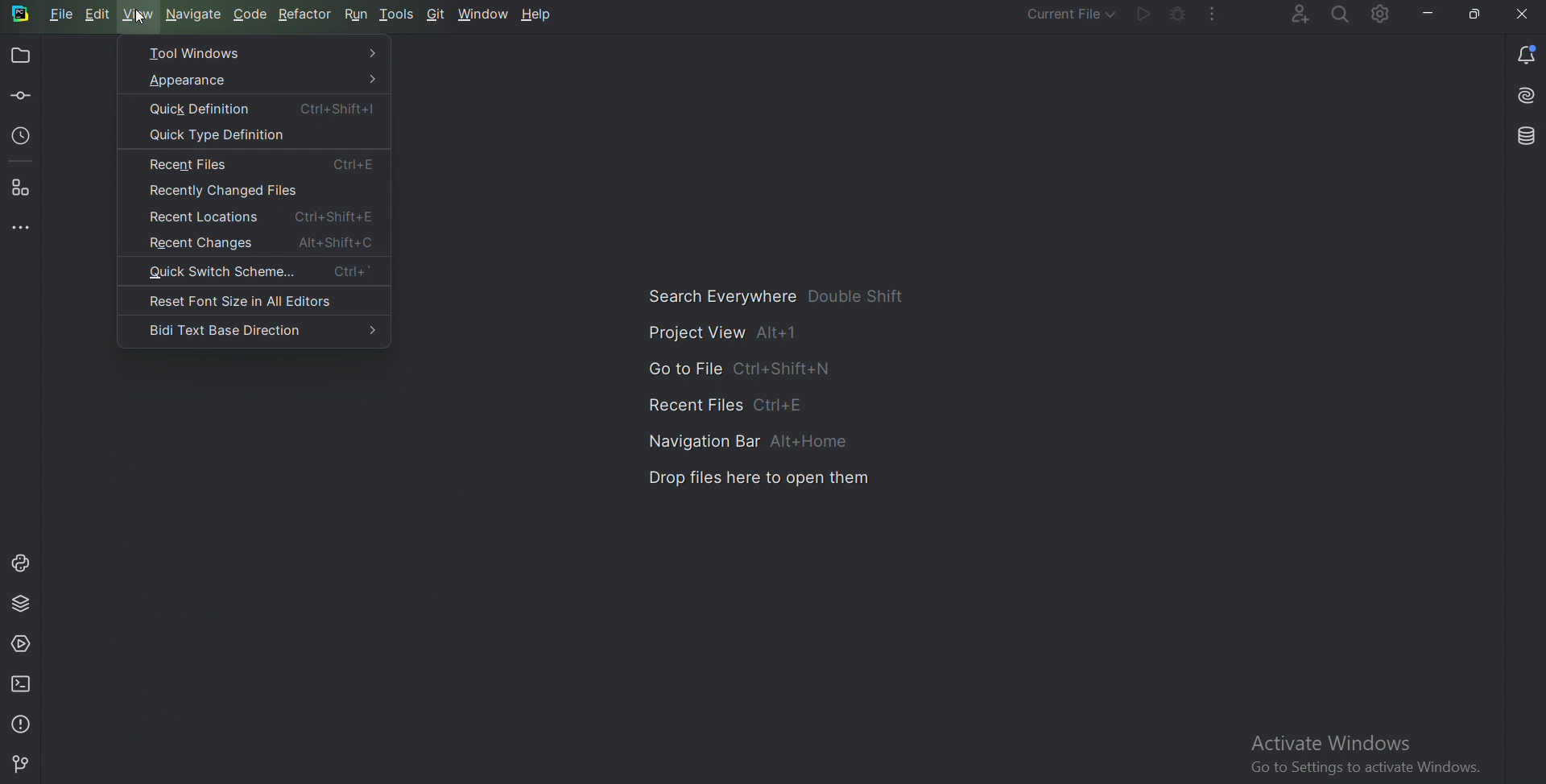 Image resolution: width=1546 pixels, height=784 pixels. Describe the element at coordinates (1523, 14) in the screenshot. I see `Cross` at that location.